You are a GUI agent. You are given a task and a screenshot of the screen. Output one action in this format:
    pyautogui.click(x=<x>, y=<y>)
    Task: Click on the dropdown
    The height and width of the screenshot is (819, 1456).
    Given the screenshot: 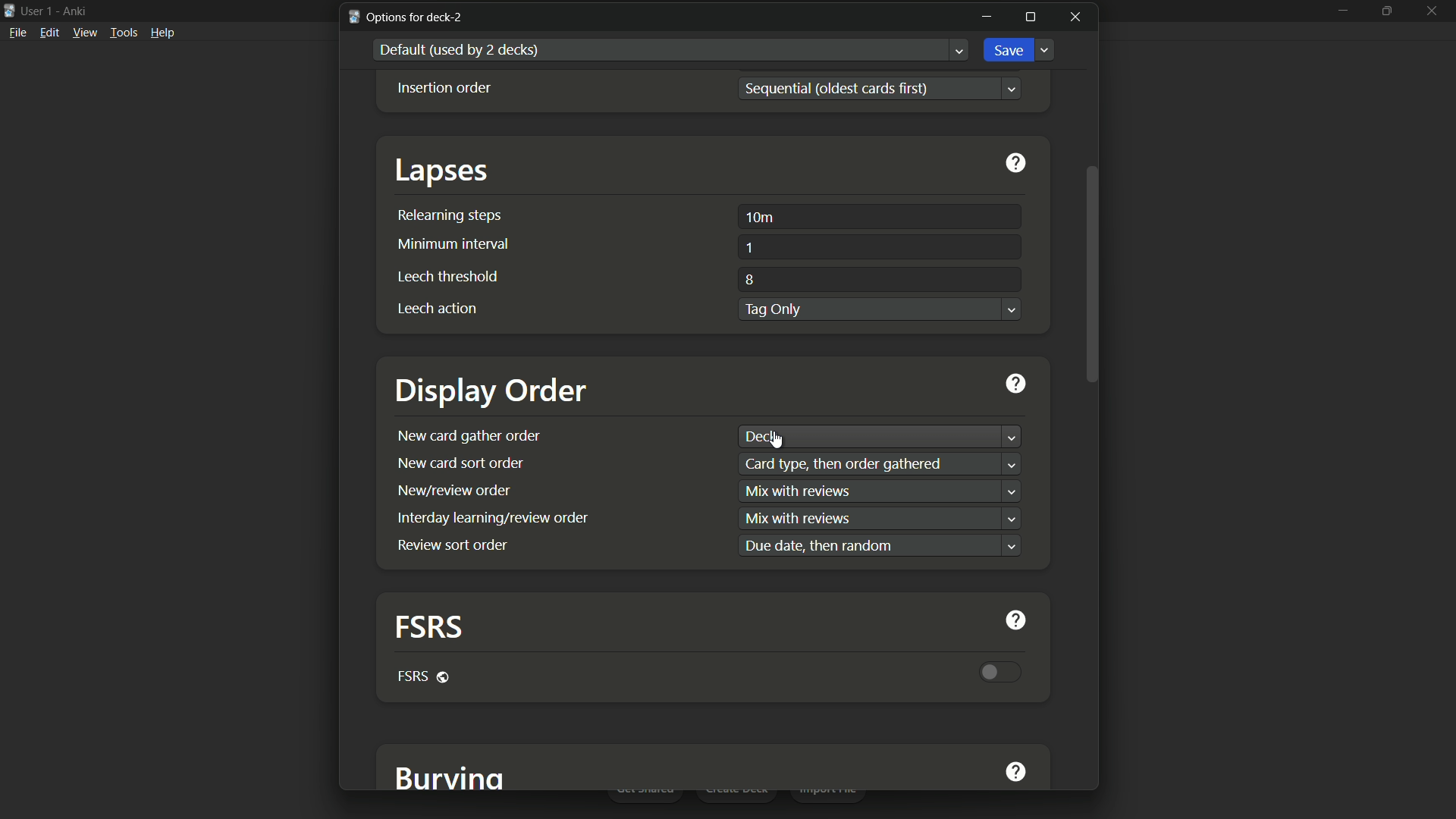 What is the action you would take?
    pyautogui.click(x=1011, y=466)
    